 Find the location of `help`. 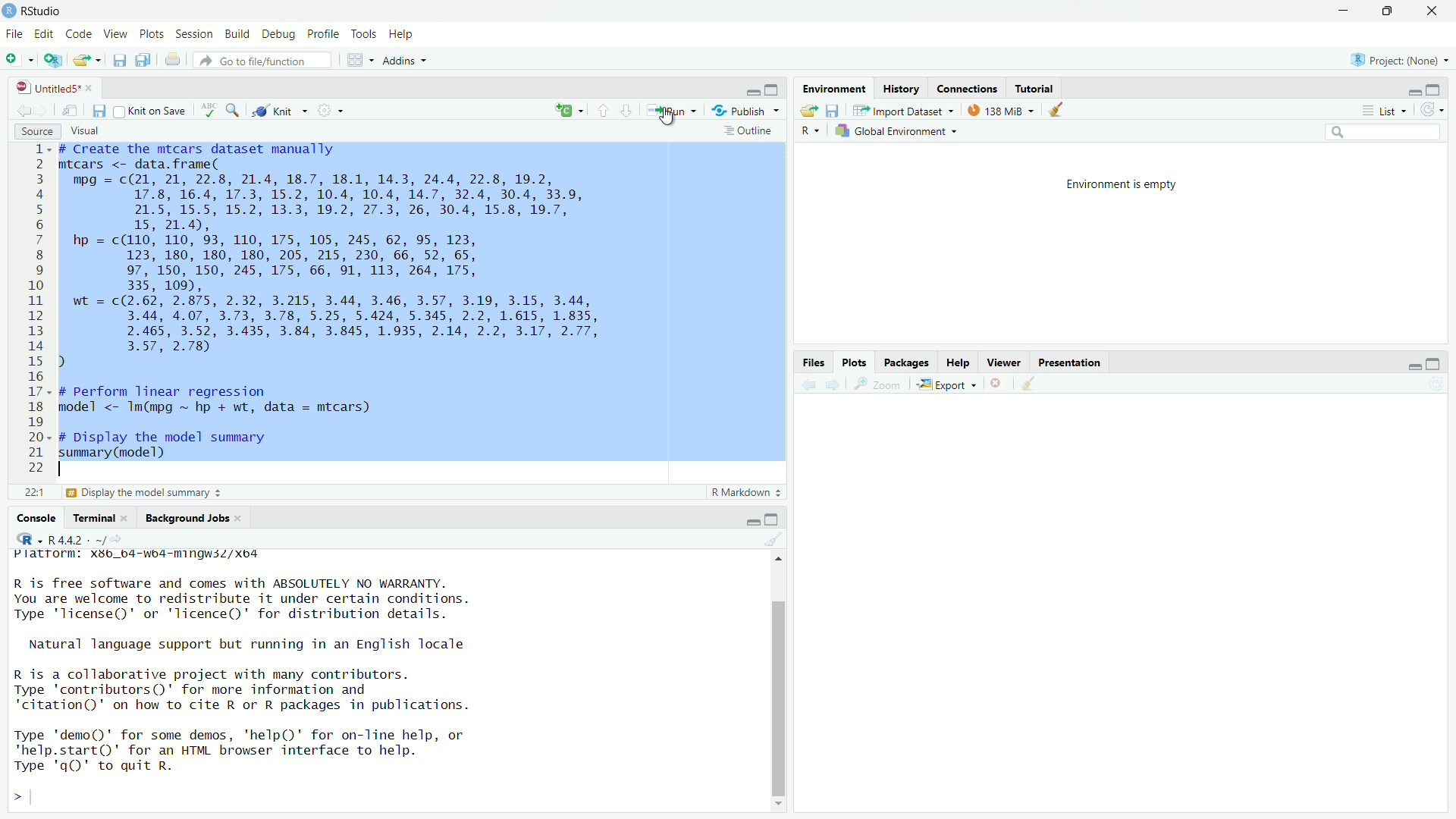

help is located at coordinates (403, 35).